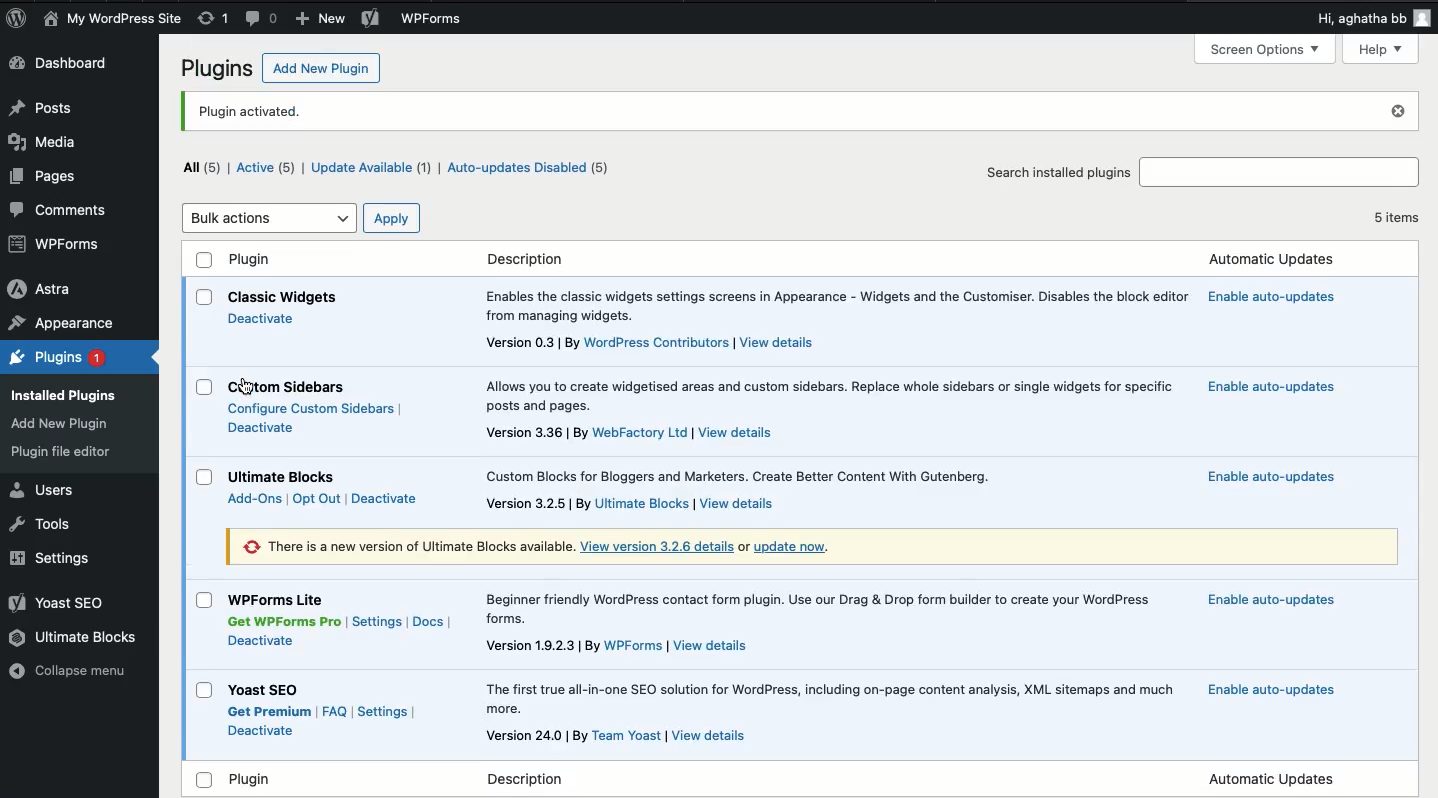 Image resolution: width=1438 pixels, height=798 pixels. I want to click on version, so click(522, 342).